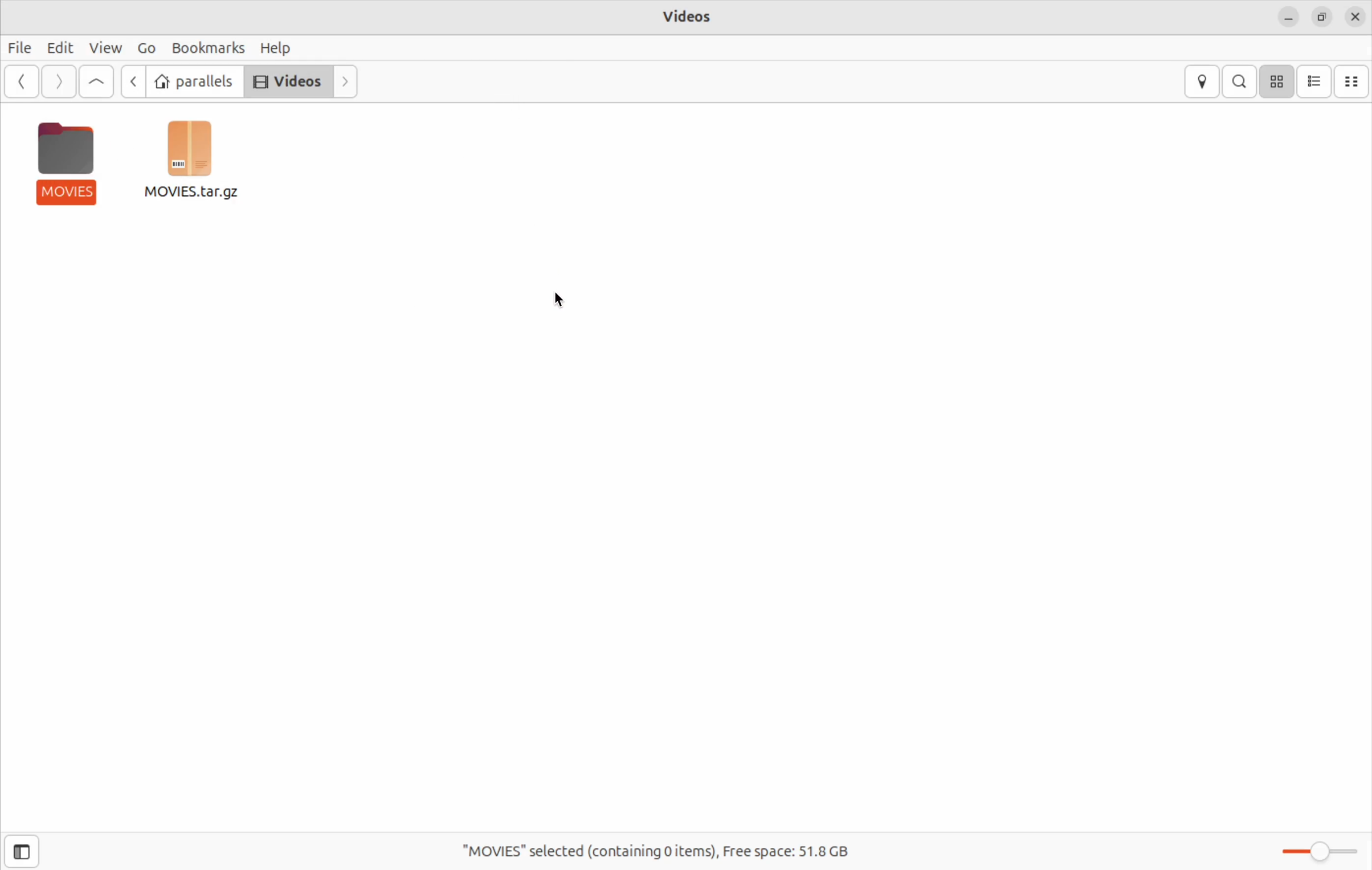 The width and height of the screenshot is (1372, 870). I want to click on compact view, so click(1353, 81).